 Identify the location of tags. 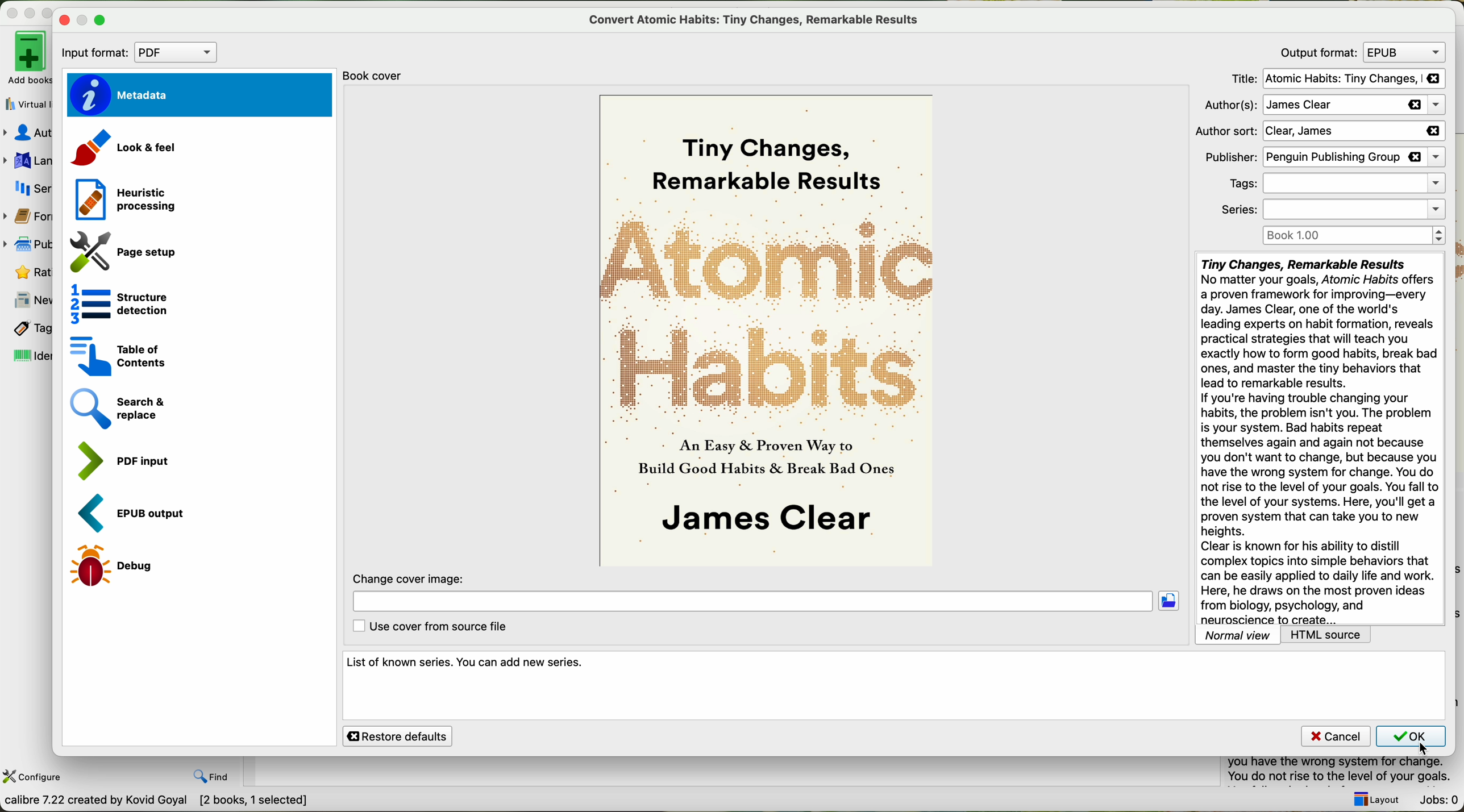
(1333, 184).